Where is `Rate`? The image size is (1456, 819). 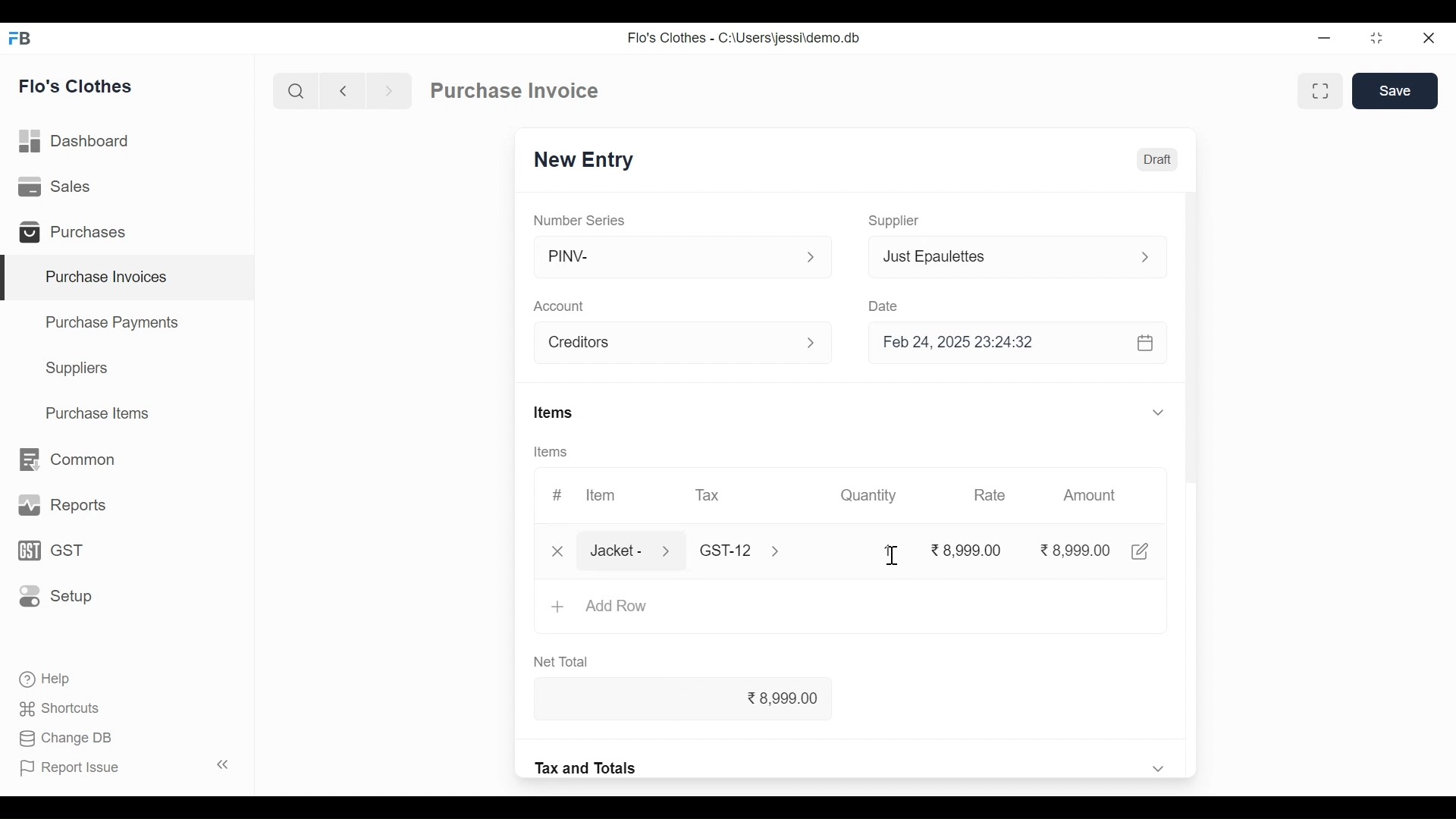
Rate is located at coordinates (988, 495).